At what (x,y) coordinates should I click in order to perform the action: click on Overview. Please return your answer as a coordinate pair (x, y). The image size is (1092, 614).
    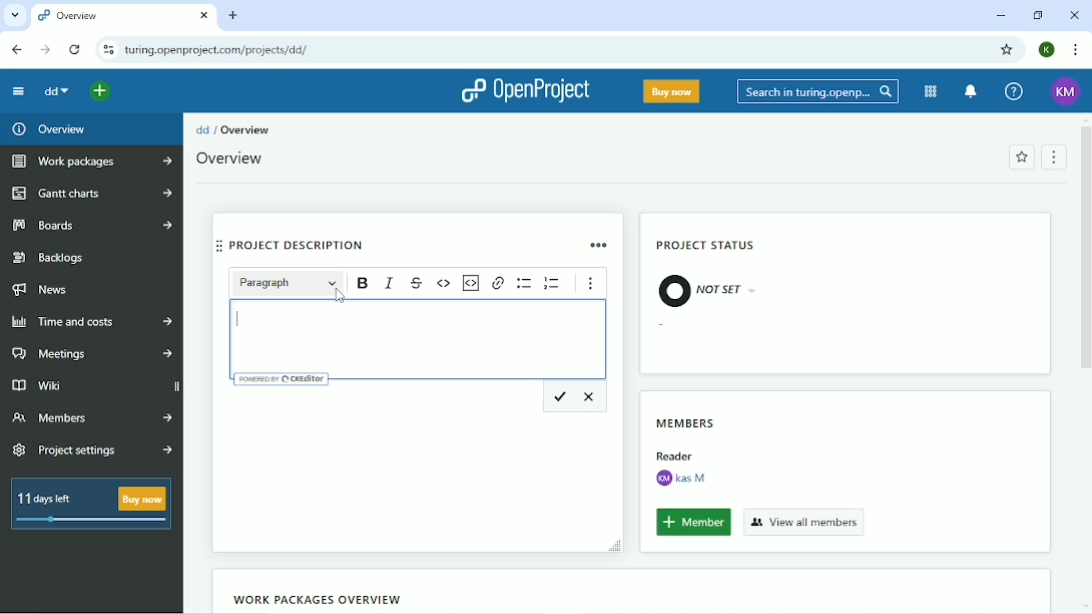
    Looking at the image, I should click on (50, 129).